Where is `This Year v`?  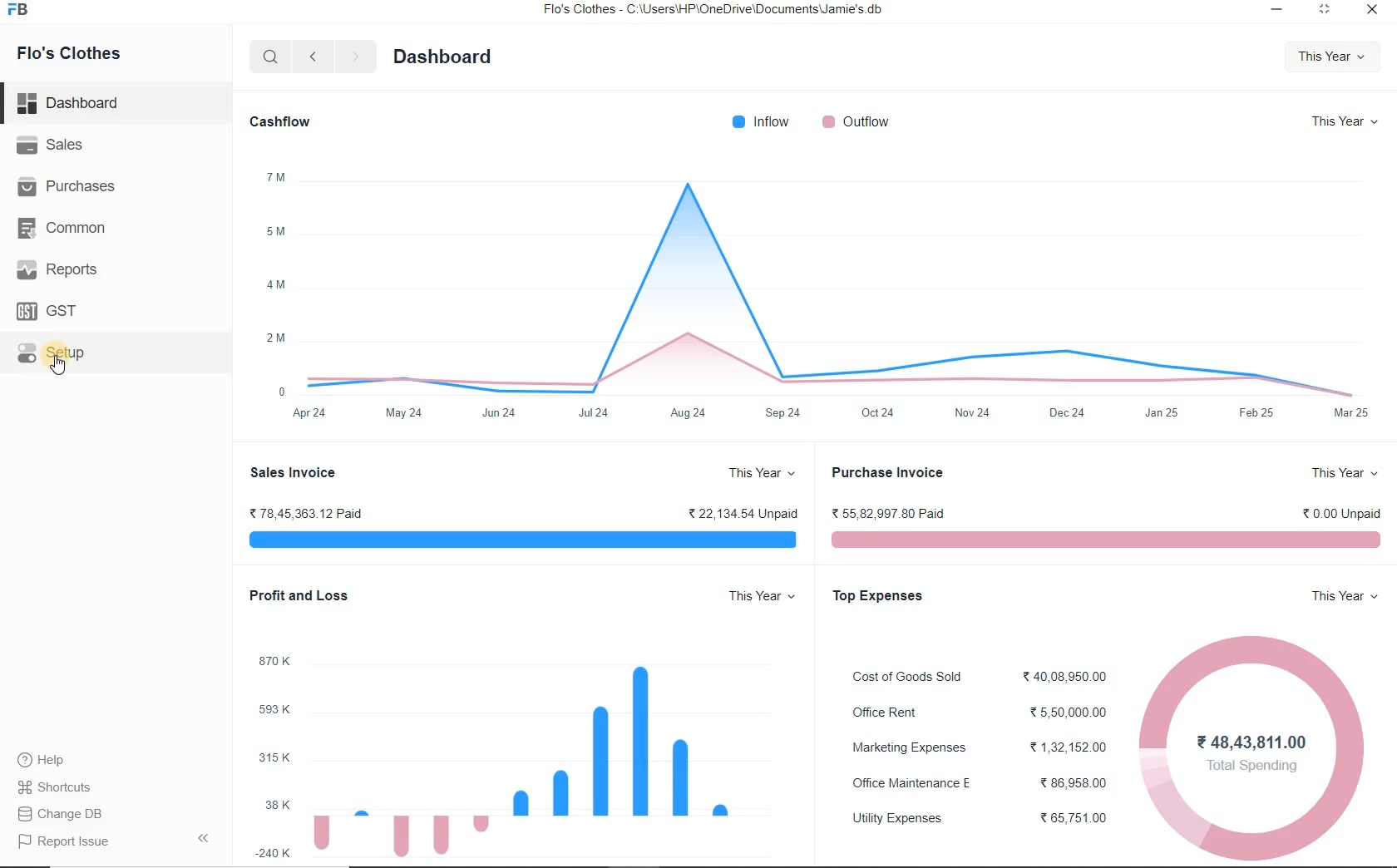 This Year v is located at coordinates (1345, 595).